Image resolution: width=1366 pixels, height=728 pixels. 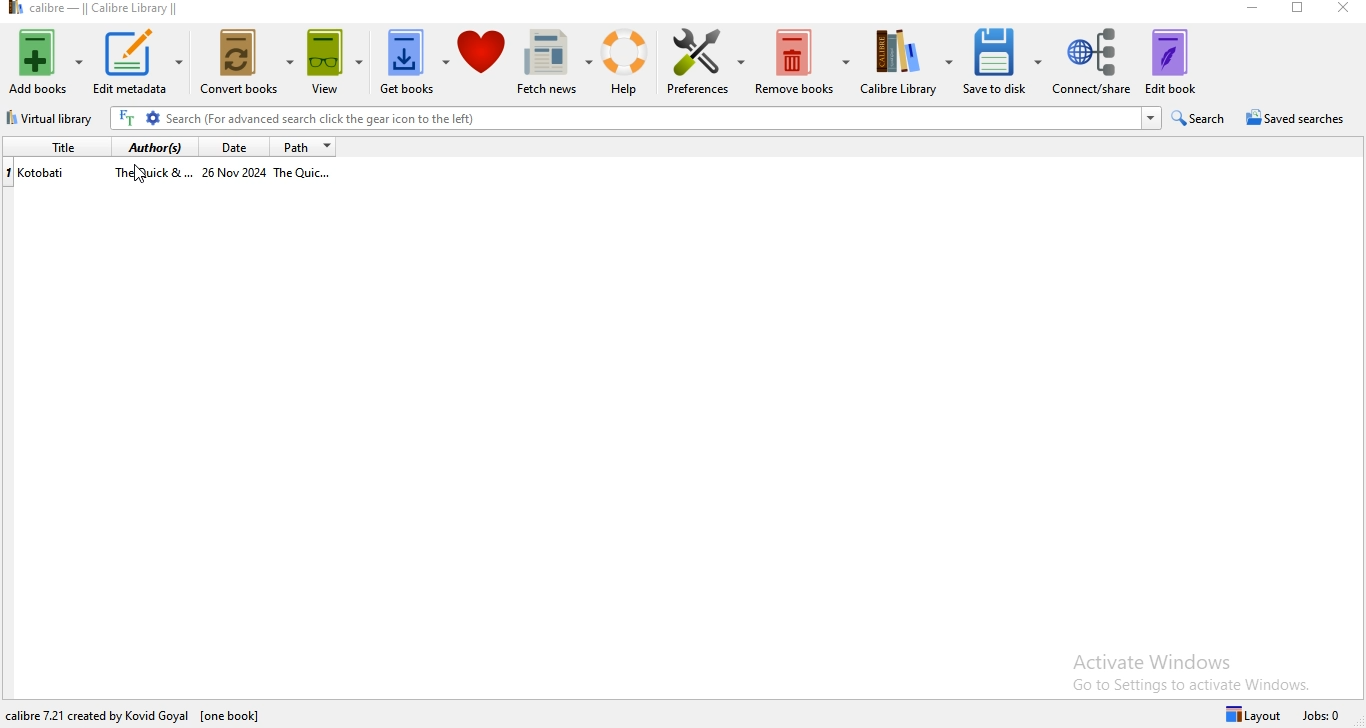 What do you see at coordinates (313, 176) in the screenshot?
I see `the quic...` at bounding box center [313, 176].